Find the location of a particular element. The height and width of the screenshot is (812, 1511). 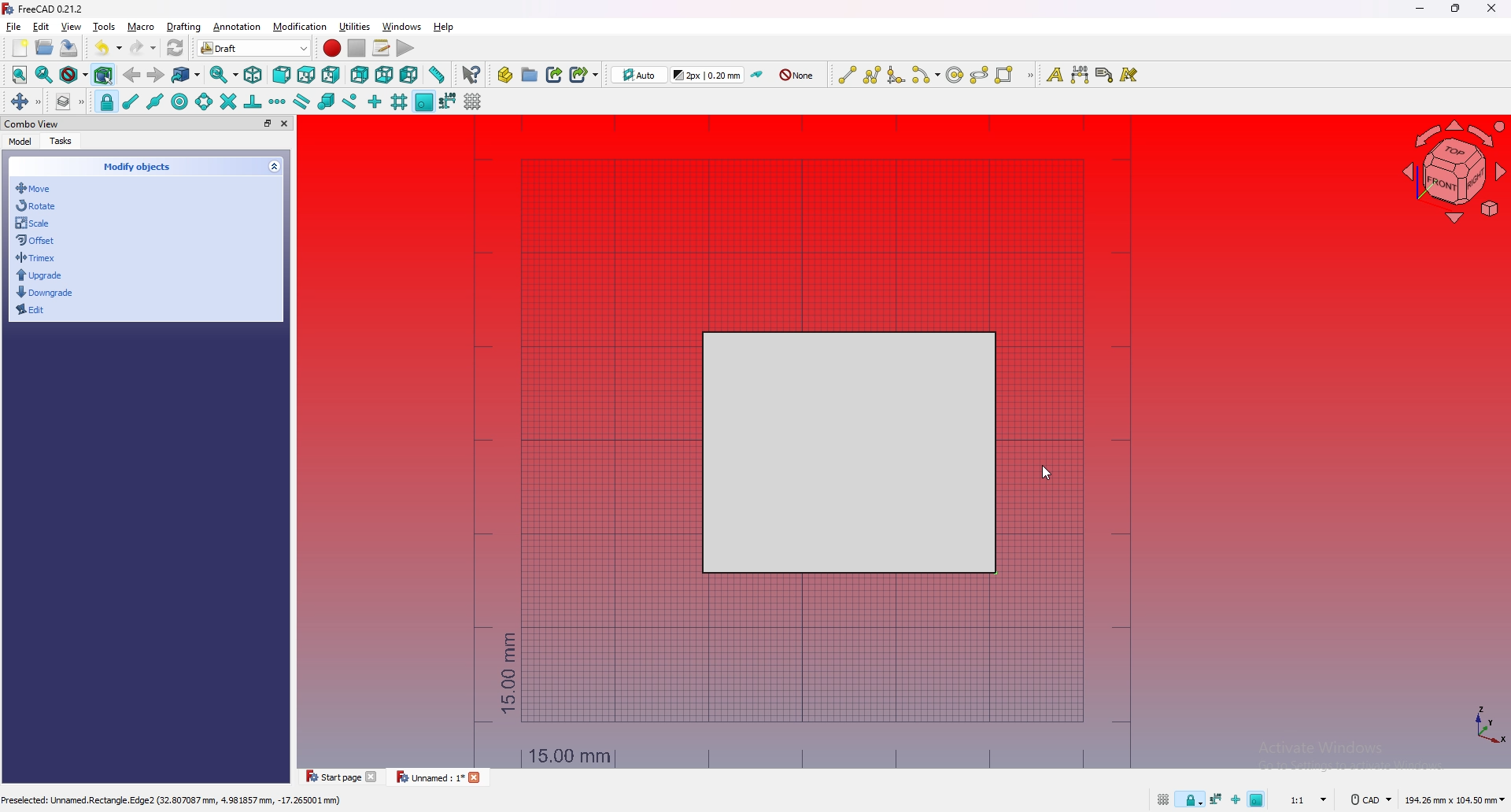

194.26 mm x 104.50 mm is located at coordinates (1454, 800).